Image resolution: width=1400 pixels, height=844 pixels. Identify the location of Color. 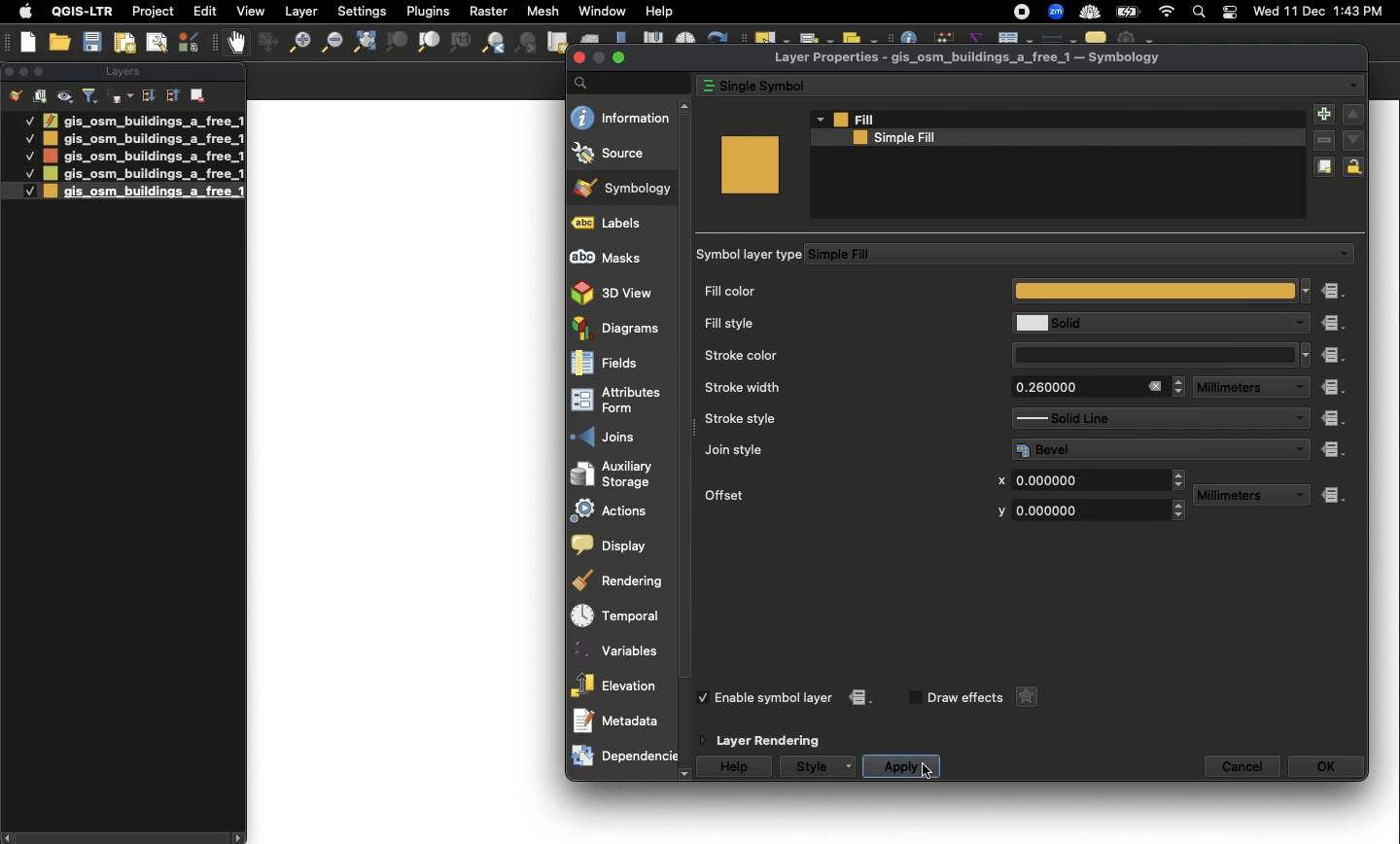
(750, 164).